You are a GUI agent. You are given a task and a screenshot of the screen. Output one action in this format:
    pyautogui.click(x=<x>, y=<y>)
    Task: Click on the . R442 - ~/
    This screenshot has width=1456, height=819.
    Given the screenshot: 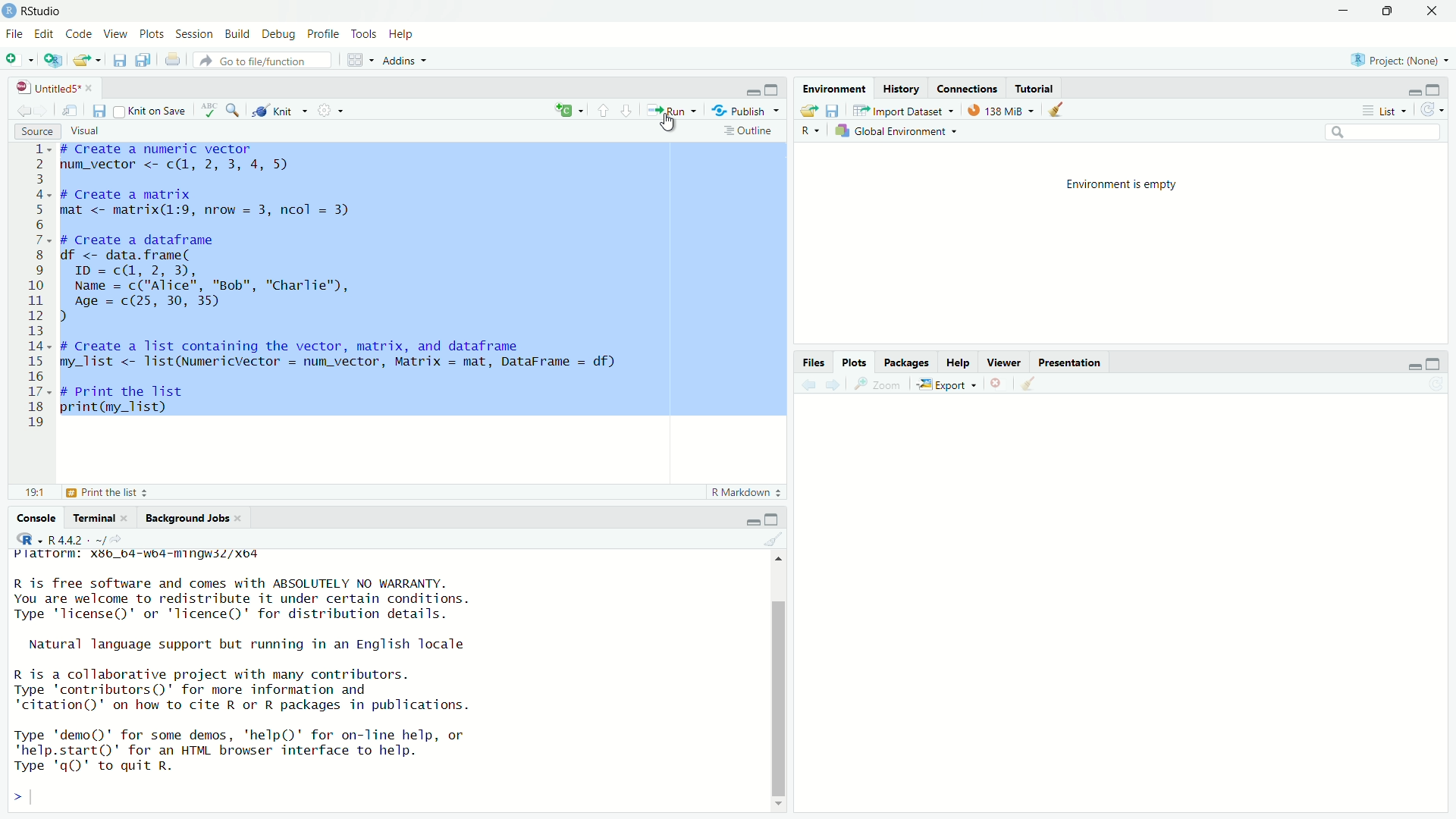 What is the action you would take?
    pyautogui.click(x=63, y=538)
    